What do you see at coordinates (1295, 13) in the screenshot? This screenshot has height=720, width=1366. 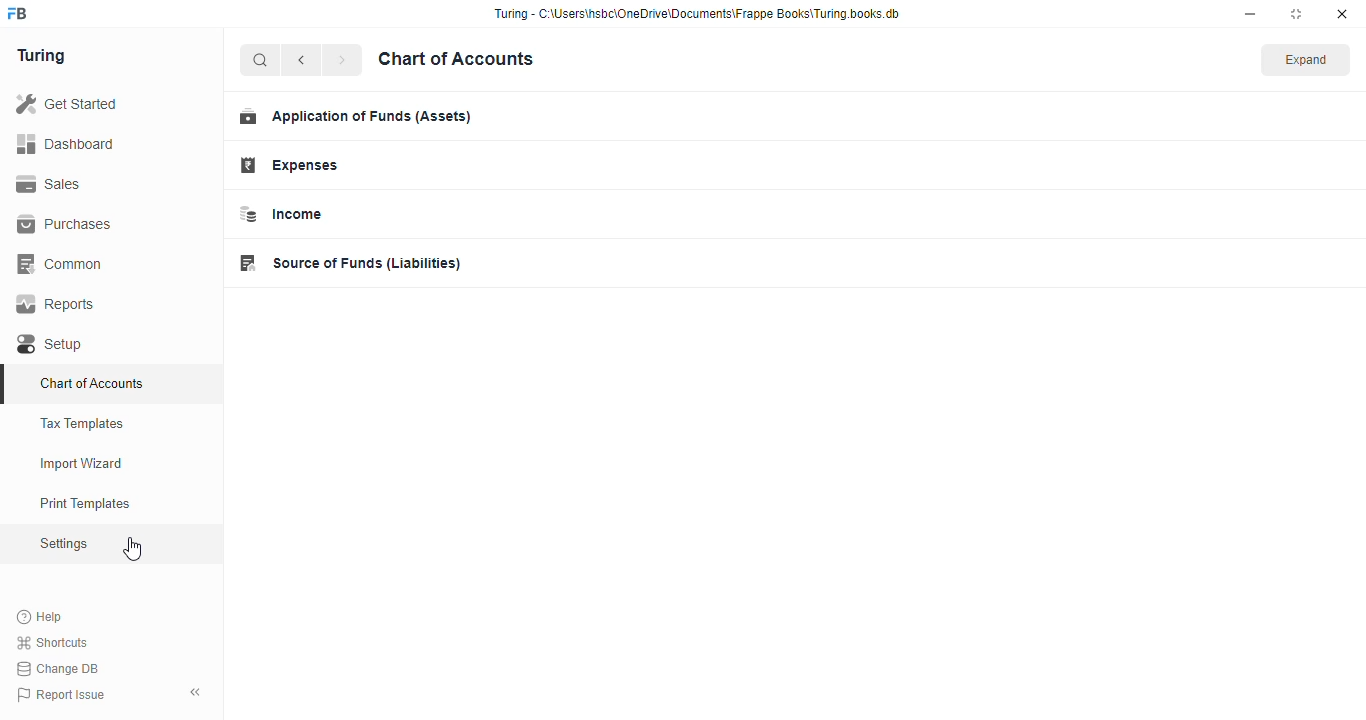 I see `toggle maximize` at bounding box center [1295, 13].